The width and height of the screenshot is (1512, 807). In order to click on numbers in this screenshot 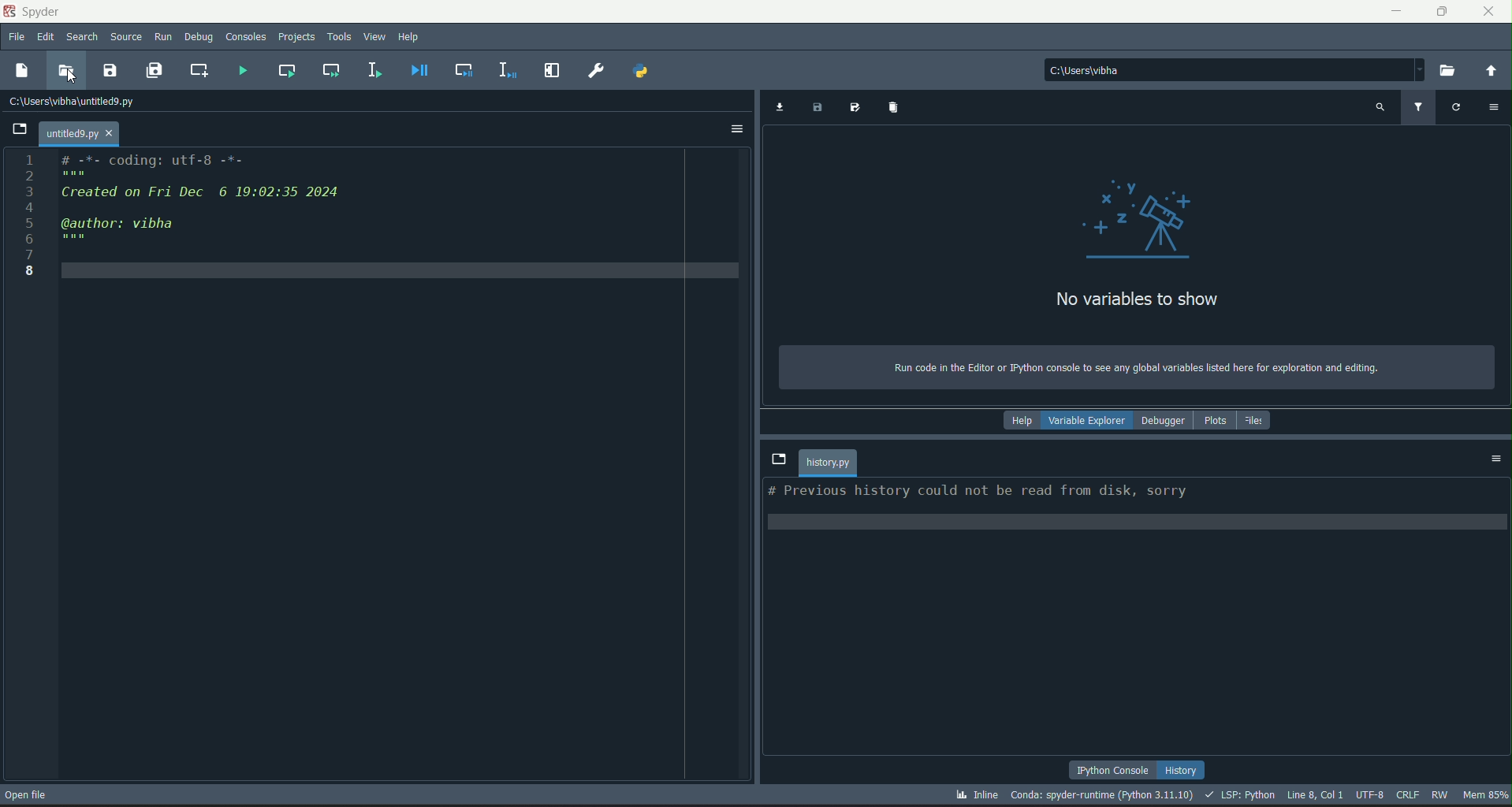, I will do `click(27, 218)`.